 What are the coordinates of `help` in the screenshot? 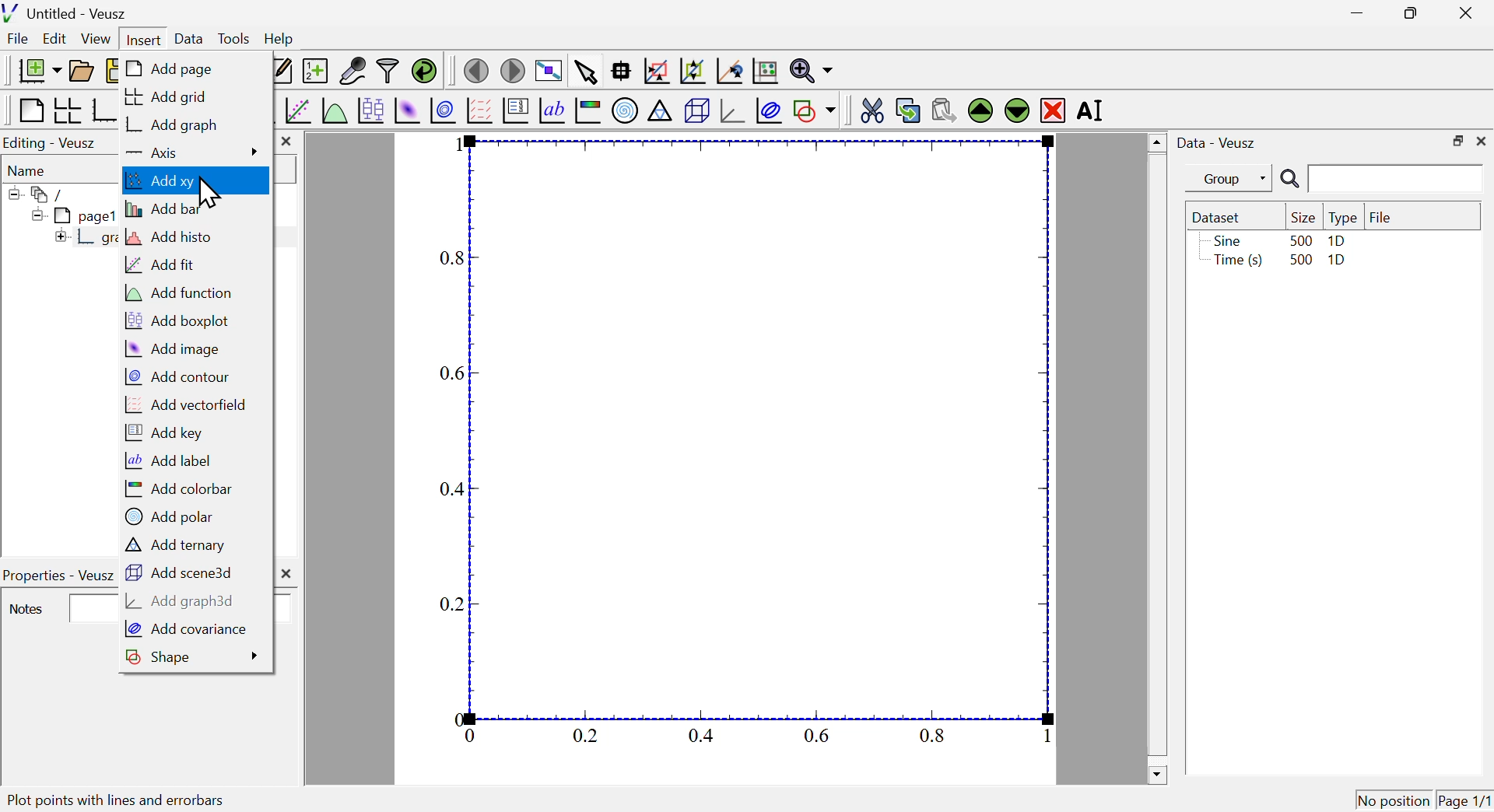 It's located at (279, 40).